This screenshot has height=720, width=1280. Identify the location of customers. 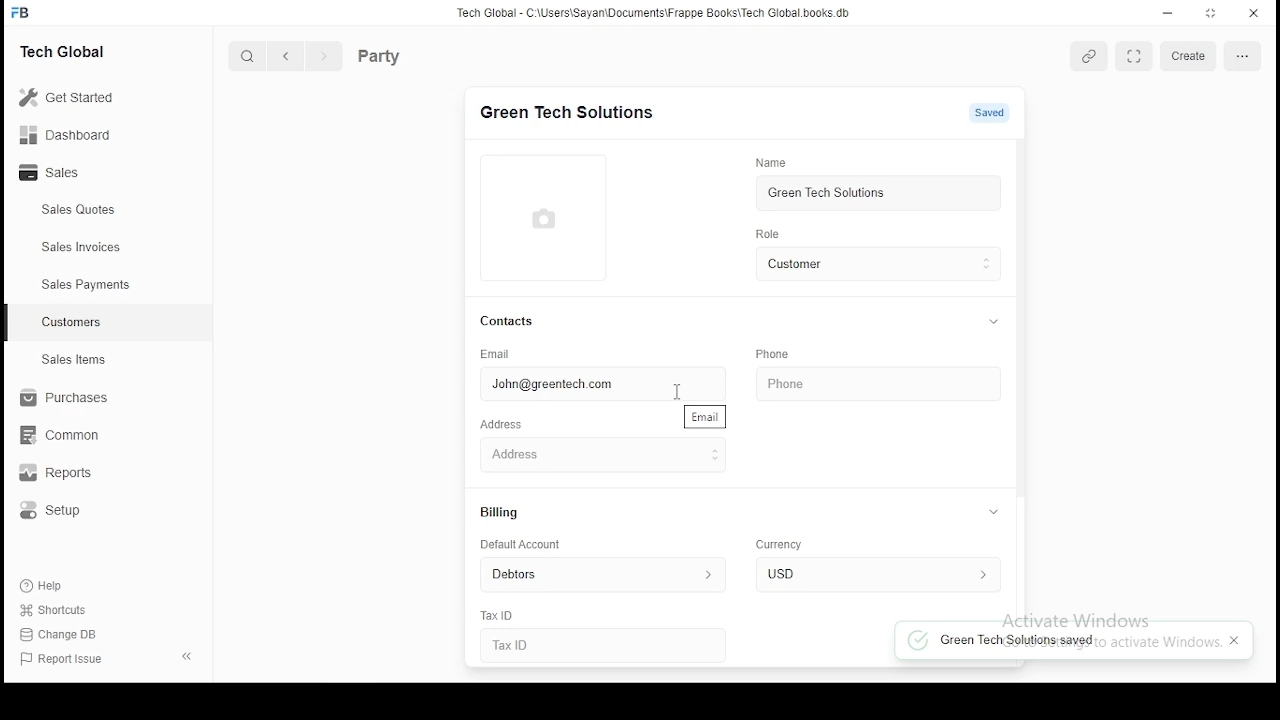
(72, 323).